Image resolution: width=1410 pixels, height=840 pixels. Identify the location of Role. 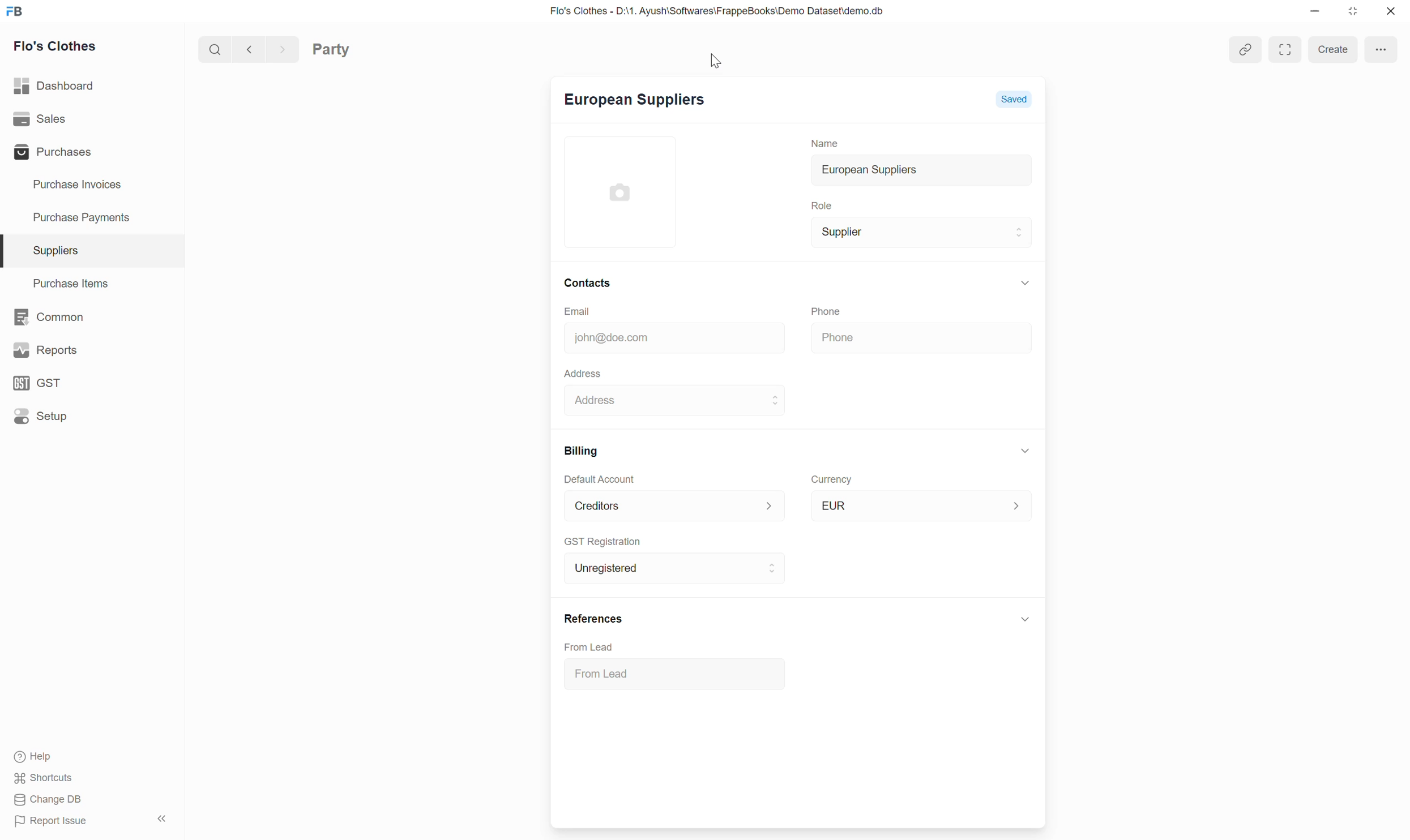
(817, 204).